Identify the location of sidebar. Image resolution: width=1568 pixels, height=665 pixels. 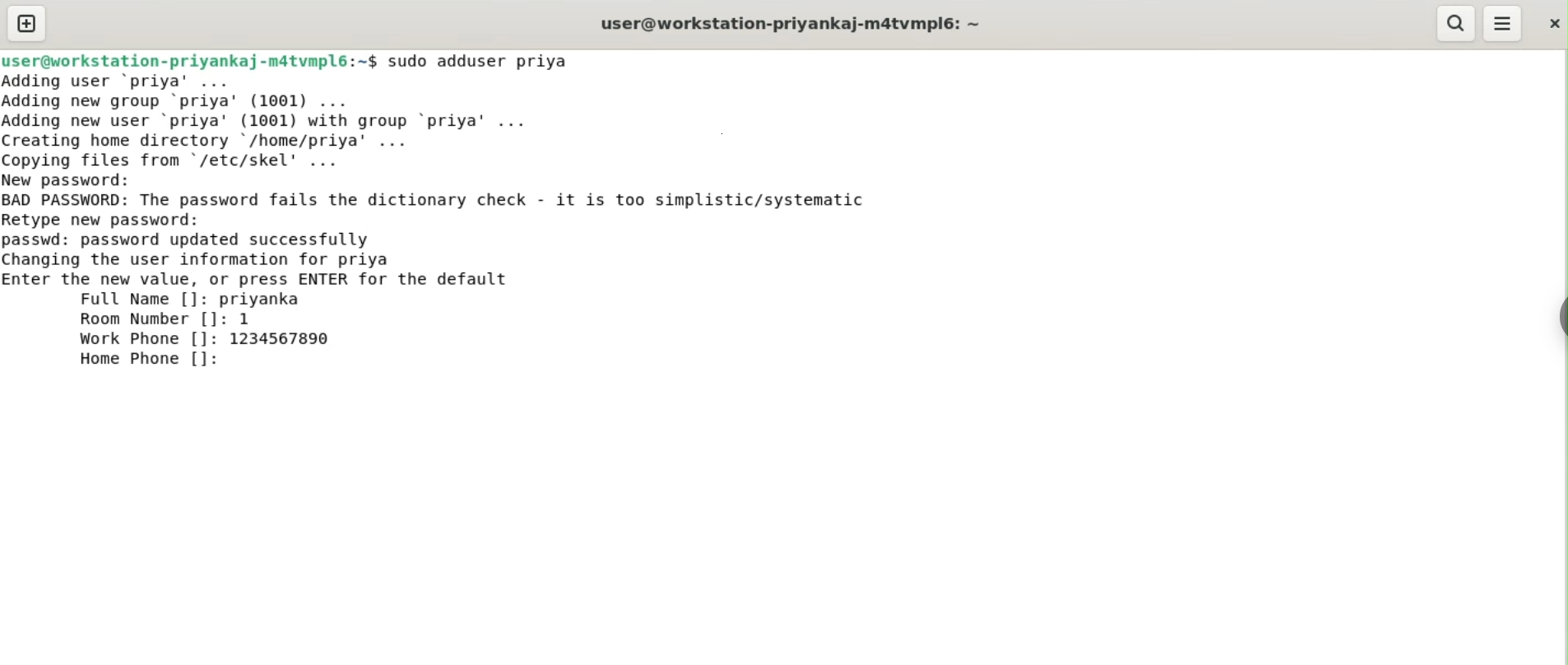
(1560, 318).